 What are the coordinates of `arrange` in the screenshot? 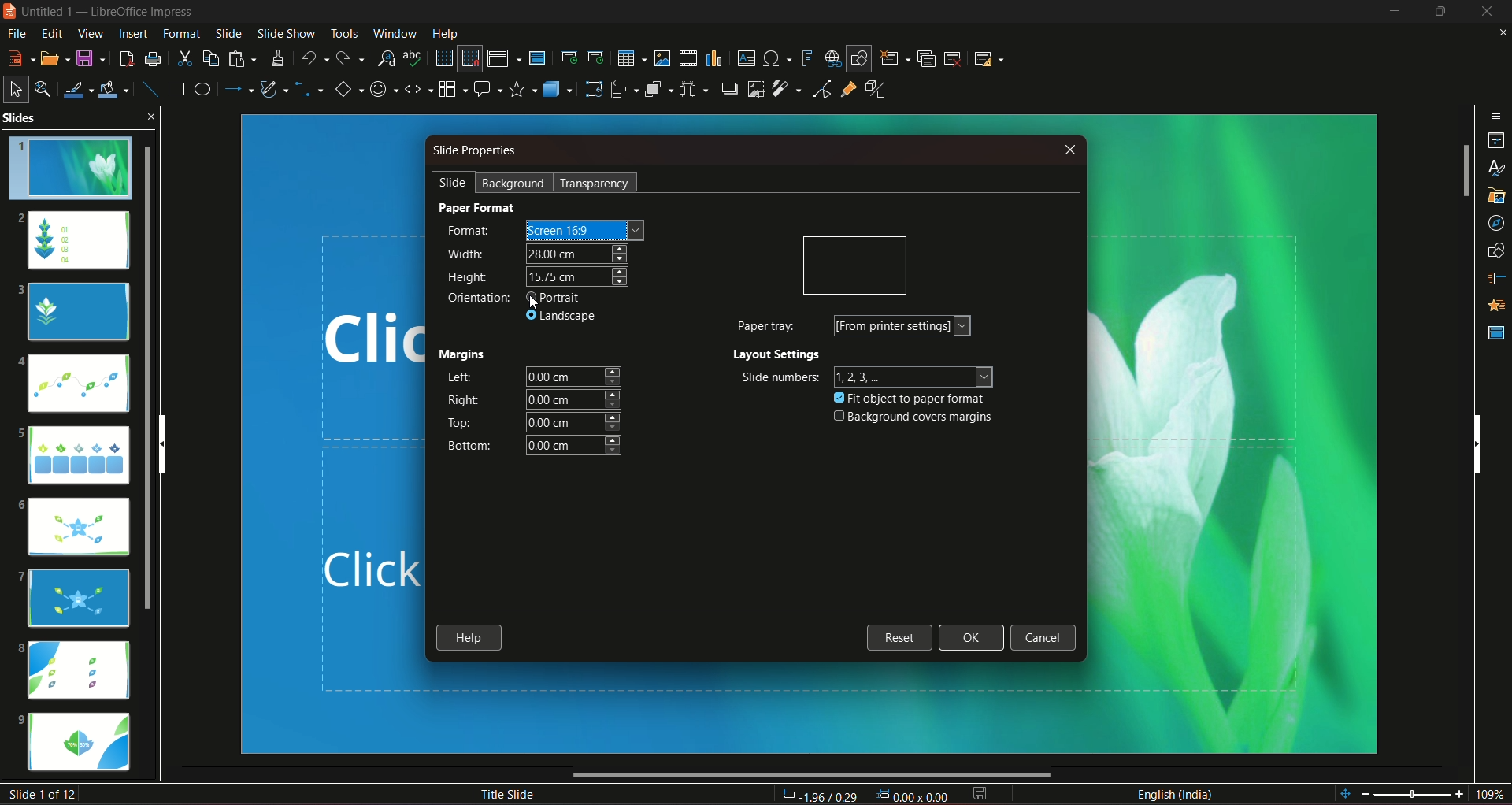 It's located at (658, 91).